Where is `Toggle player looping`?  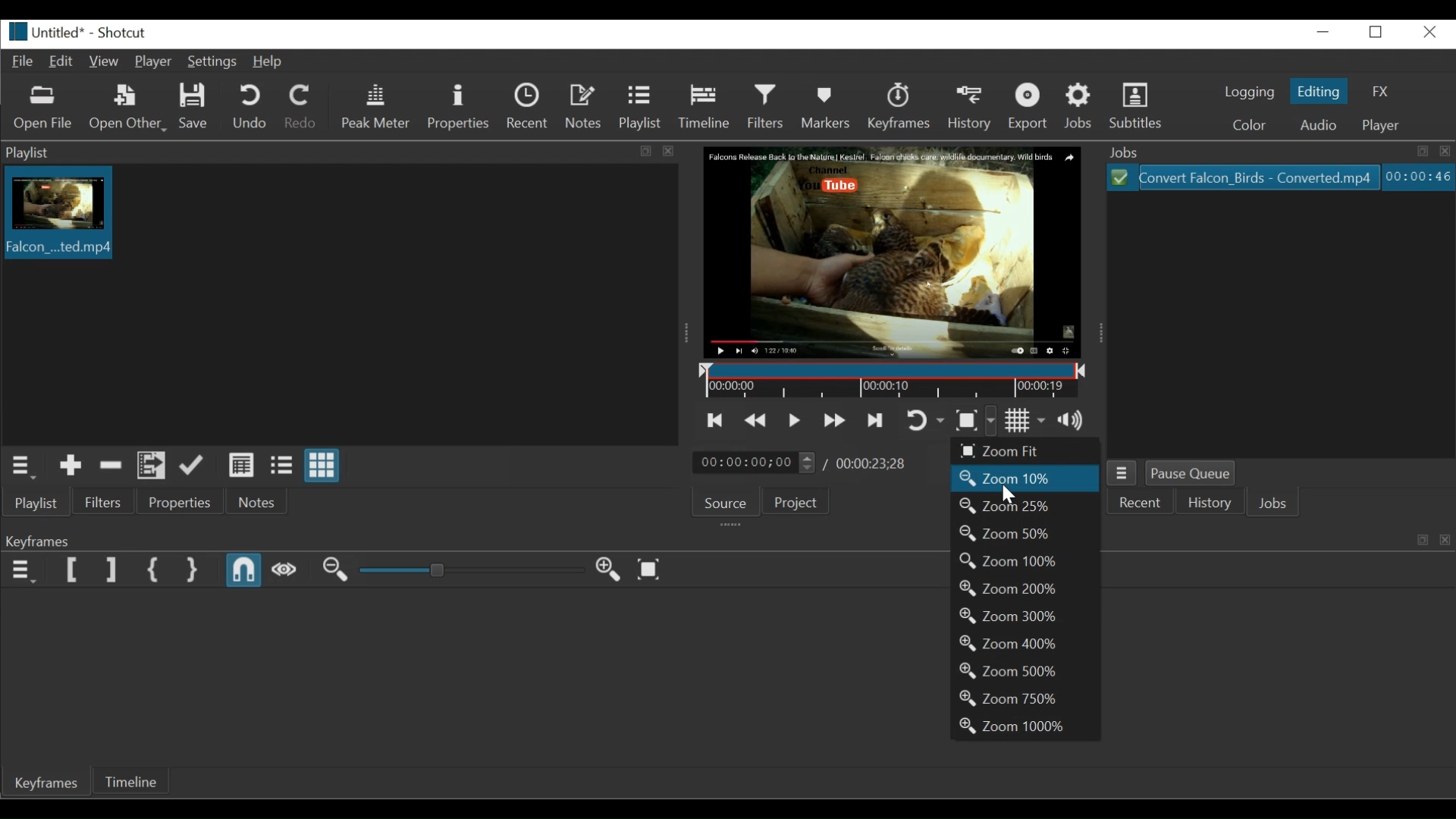 Toggle player looping is located at coordinates (923, 421).